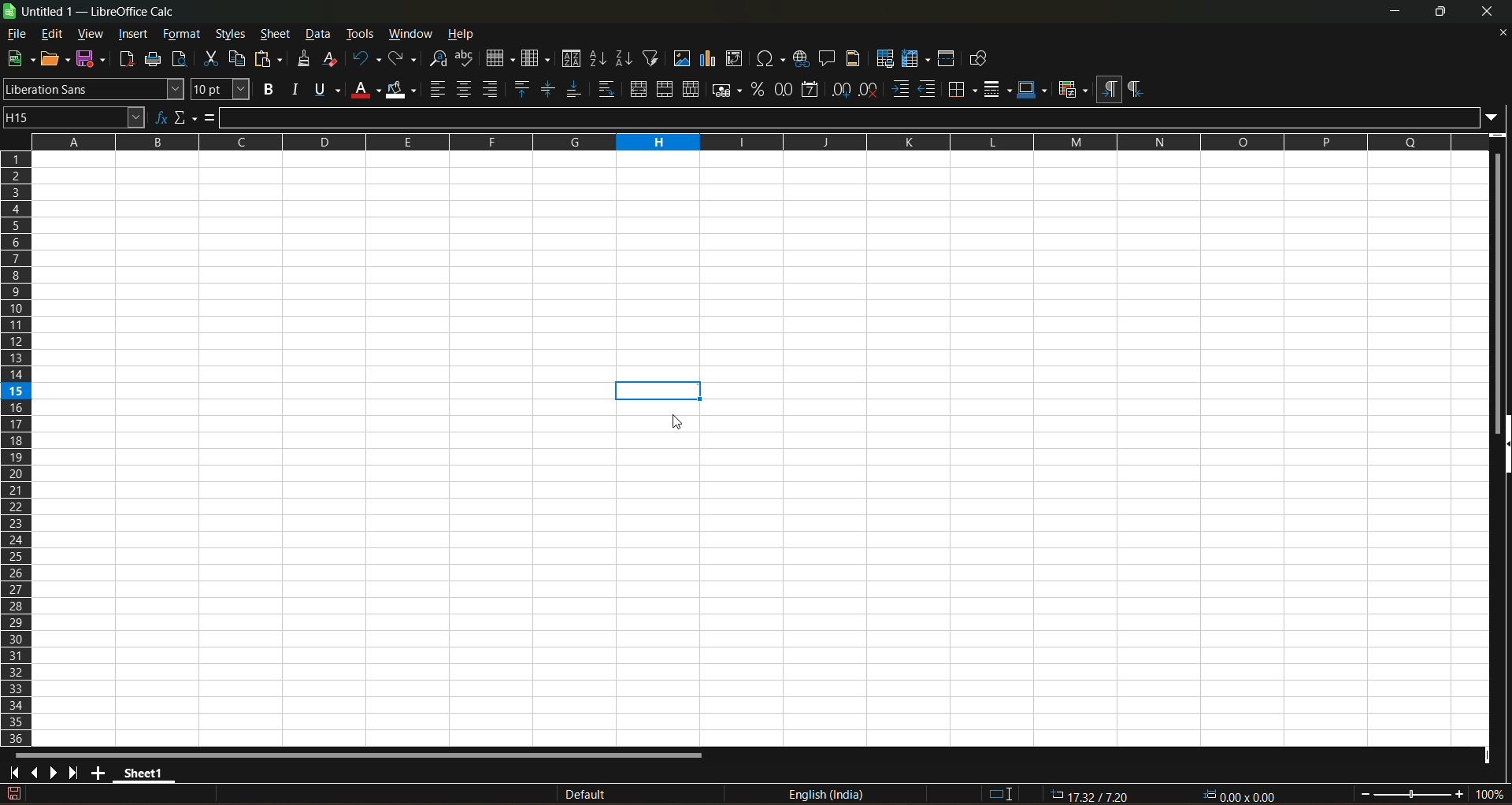  What do you see at coordinates (100, 771) in the screenshot?
I see `add new sheet` at bounding box center [100, 771].